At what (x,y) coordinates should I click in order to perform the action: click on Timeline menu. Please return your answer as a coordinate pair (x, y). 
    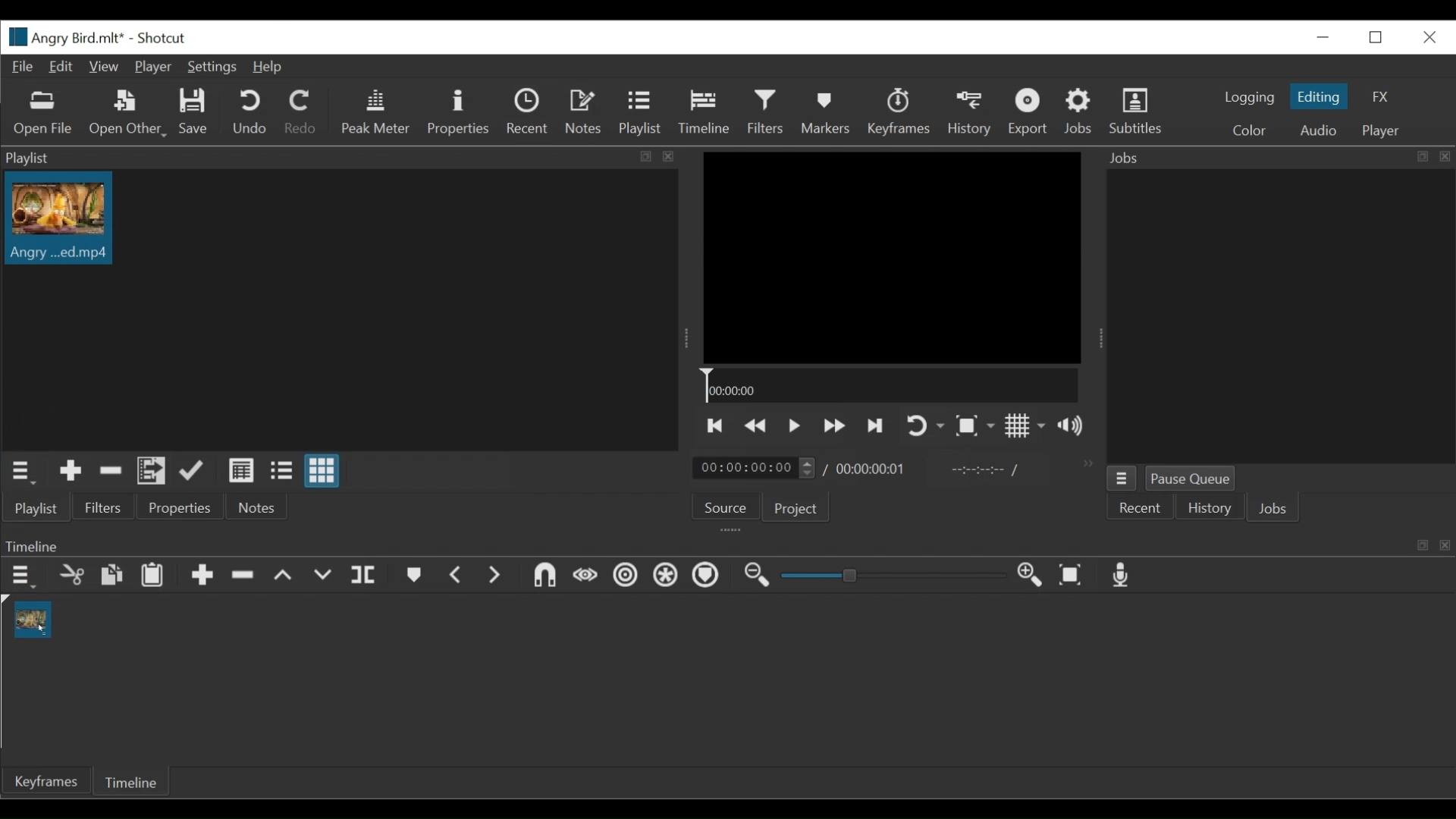
    Looking at the image, I should click on (20, 575).